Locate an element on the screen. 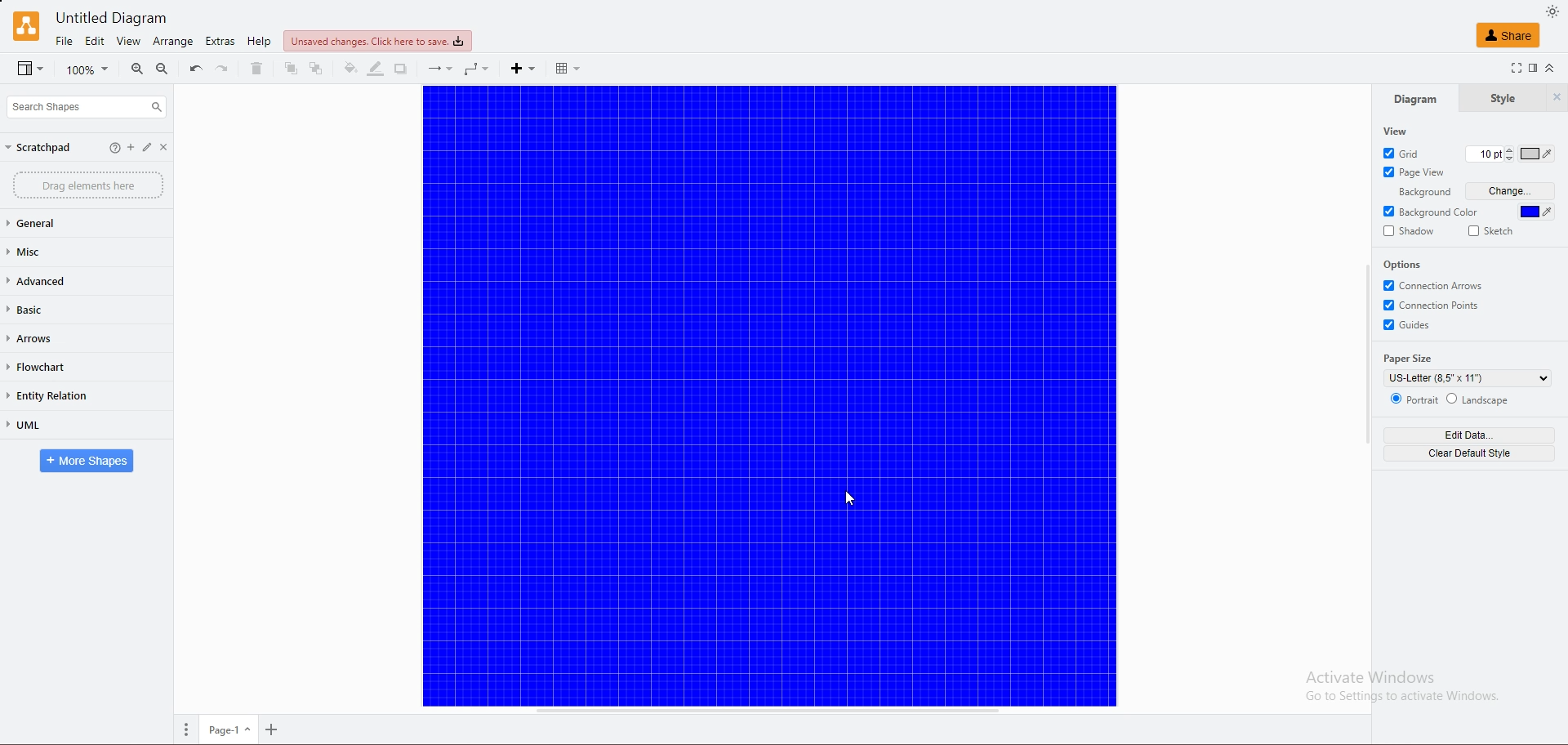 Image resolution: width=1568 pixels, height=745 pixels. help is located at coordinates (259, 42).